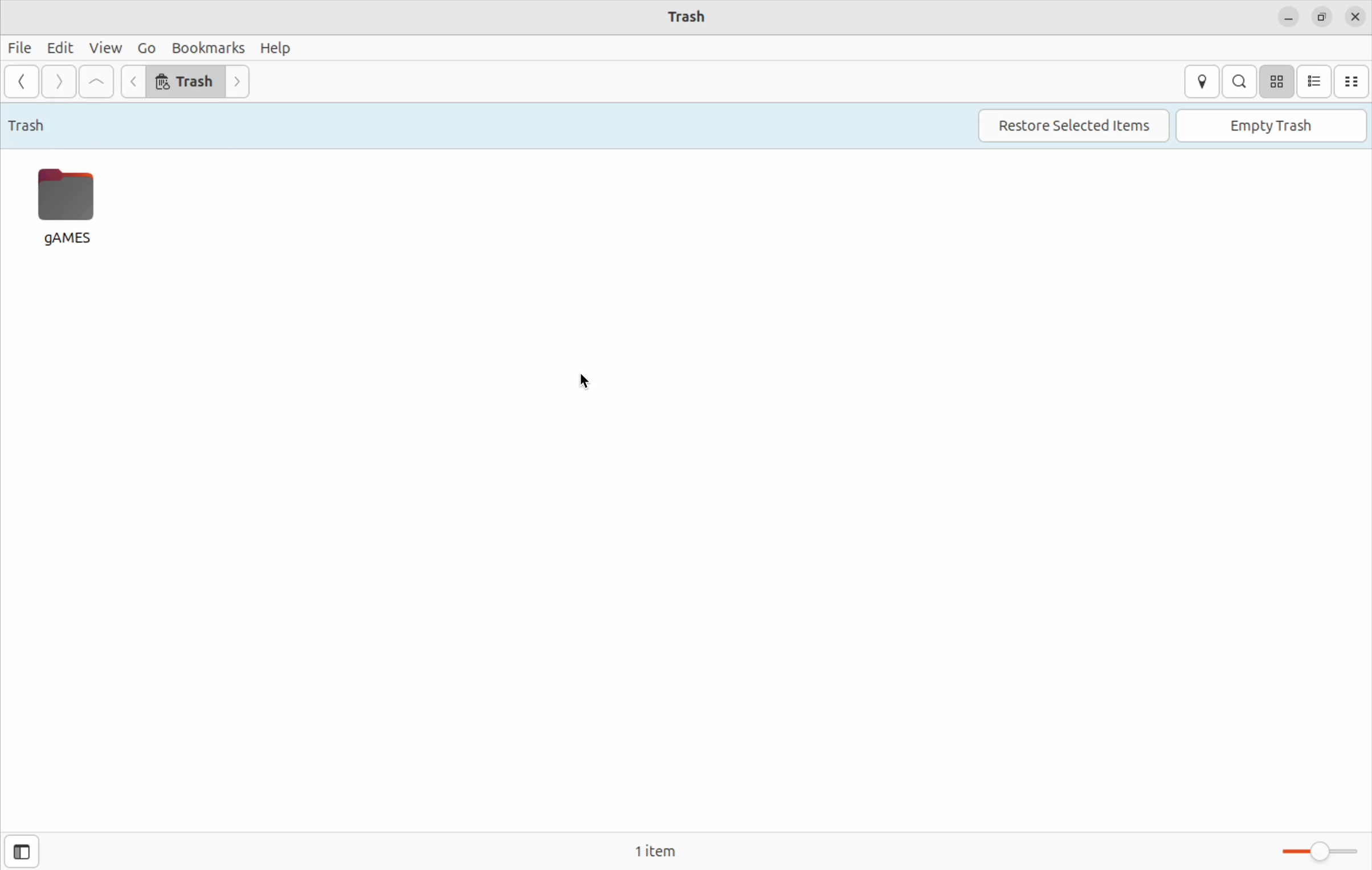 The height and width of the screenshot is (870, 1372). Describe the element at coordinates (1315, 81) in the screenshot. I see `list view` at that location.